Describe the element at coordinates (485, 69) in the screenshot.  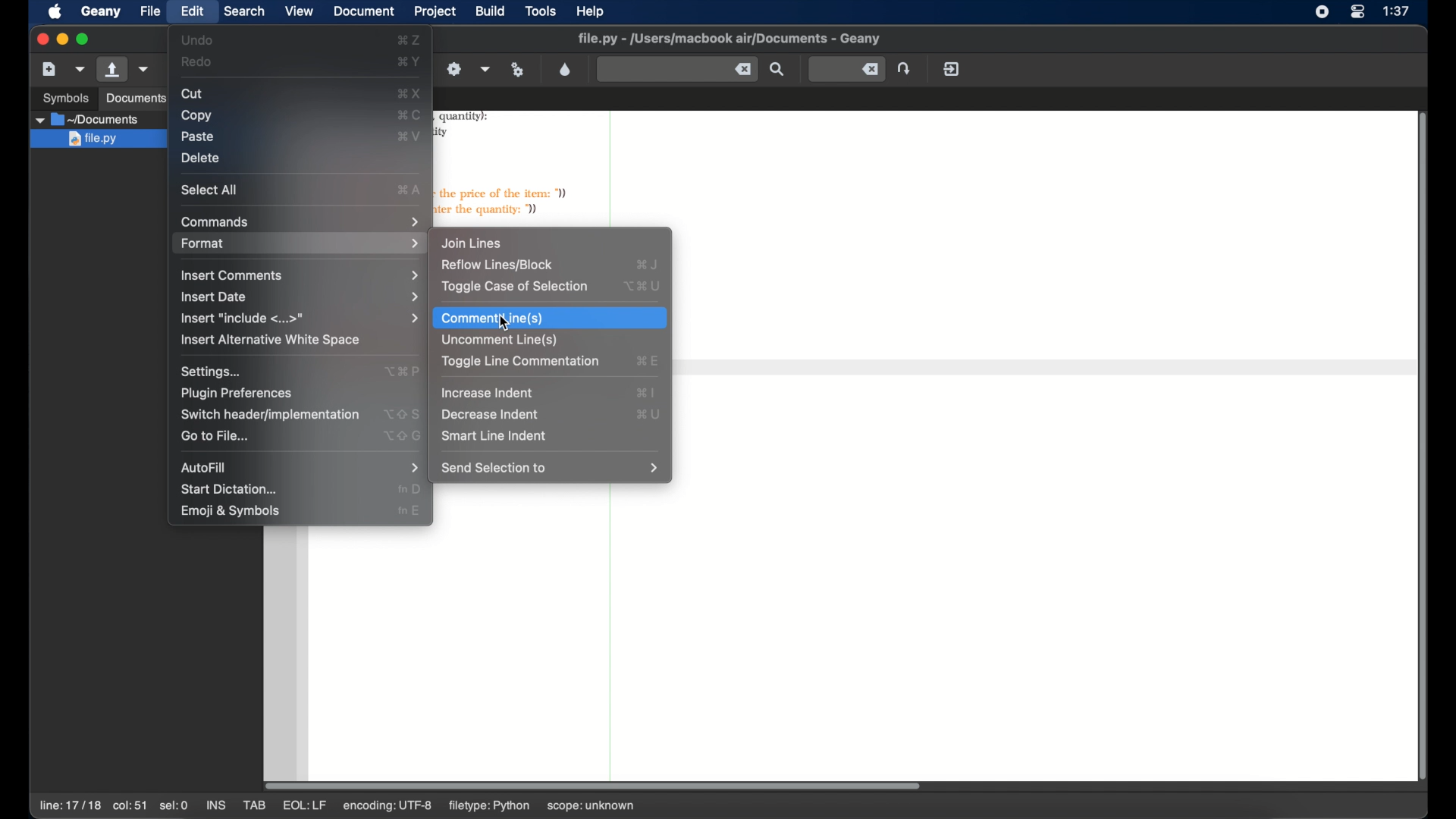
I see `choose more build actions` at that location.